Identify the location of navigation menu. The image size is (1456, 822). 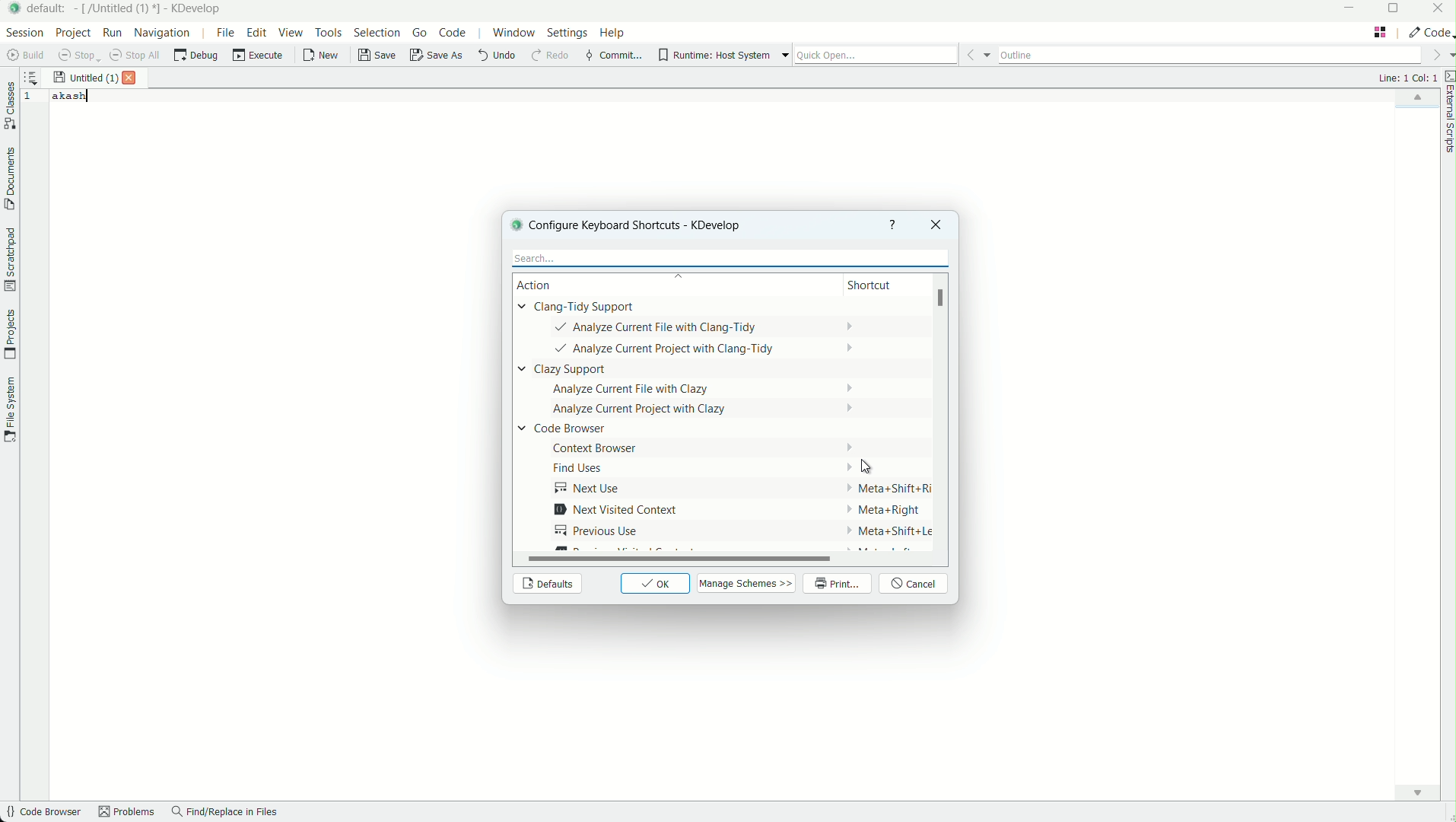
(163, 32).